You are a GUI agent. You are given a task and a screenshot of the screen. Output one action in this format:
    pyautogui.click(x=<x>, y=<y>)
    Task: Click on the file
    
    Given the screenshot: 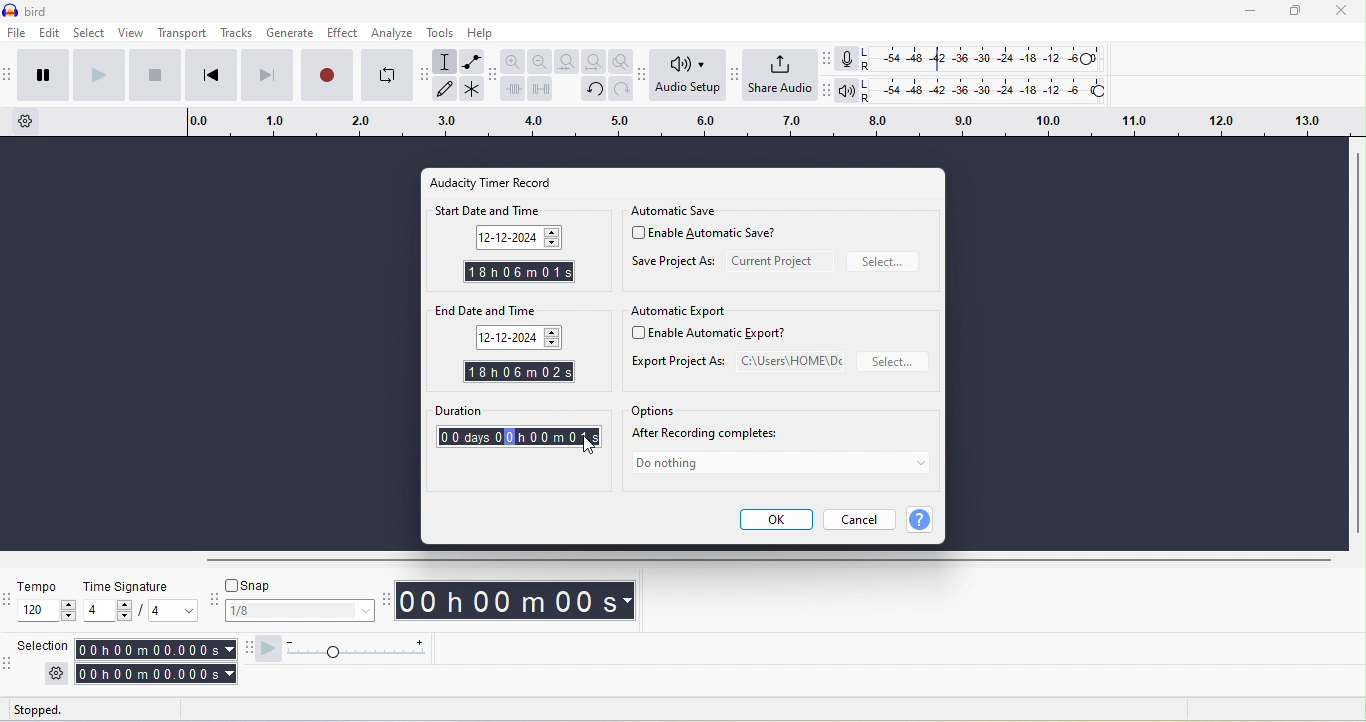 What is the action you would take?
    pyautogui.click(x=15, y=34)
    